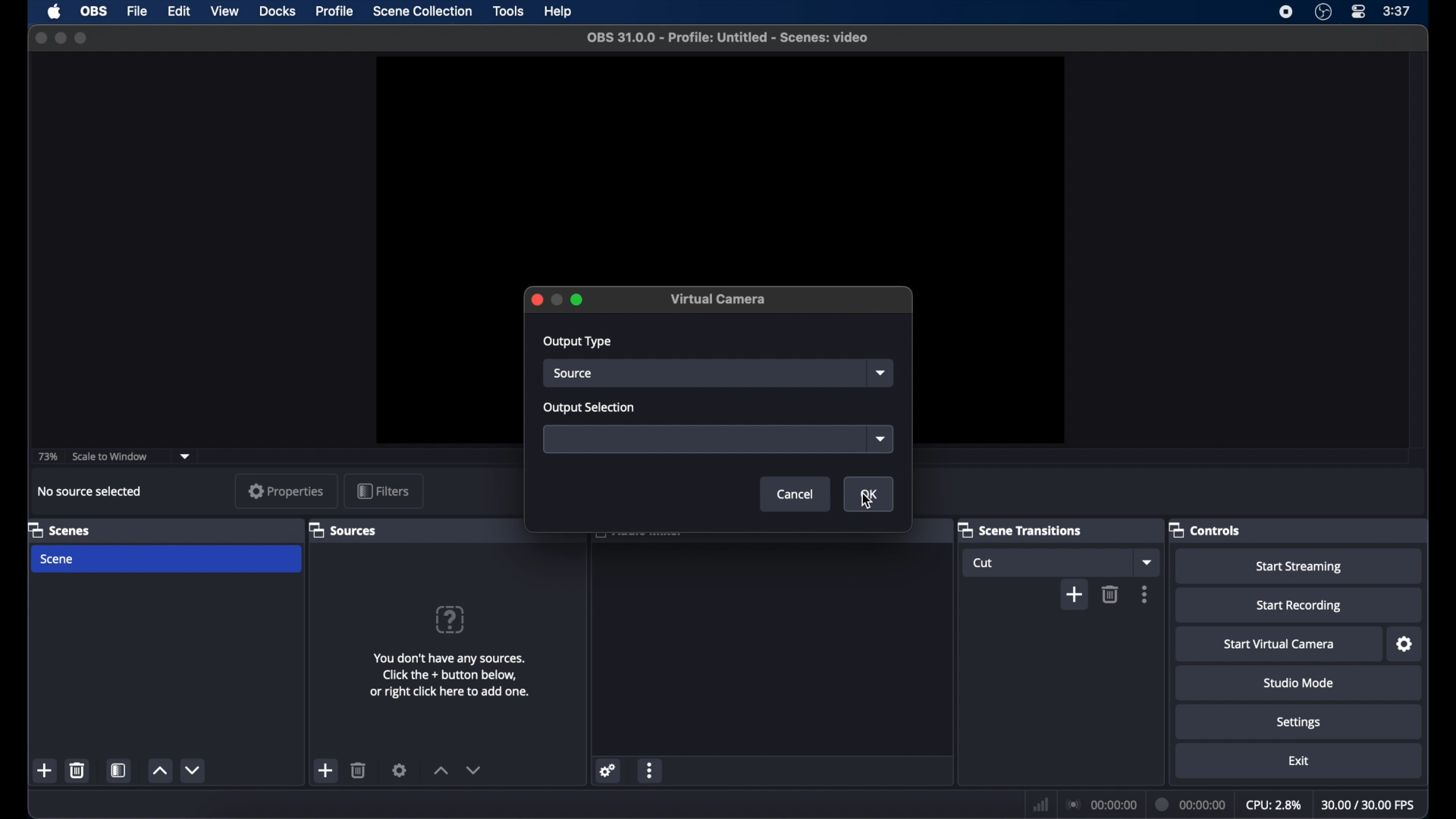  I want to click on apple icon, so click(55, 12).